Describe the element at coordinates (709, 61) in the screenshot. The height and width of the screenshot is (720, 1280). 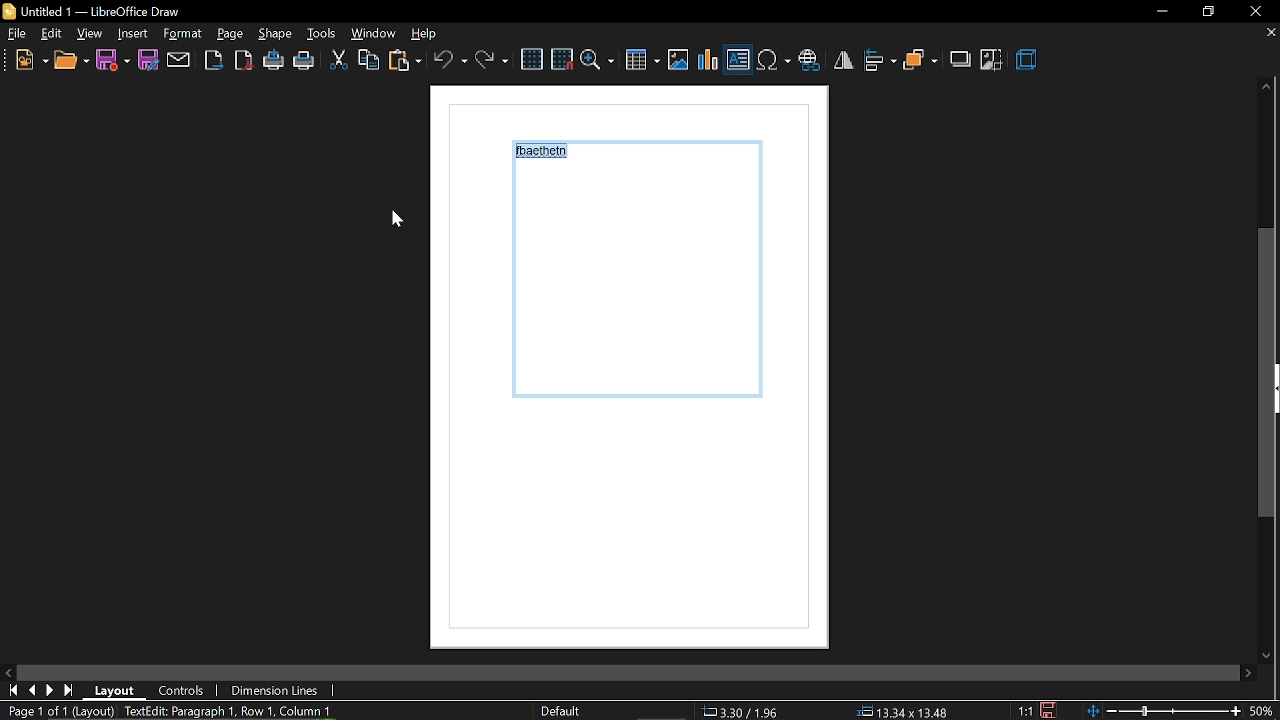
I see `insert chart` at that location.